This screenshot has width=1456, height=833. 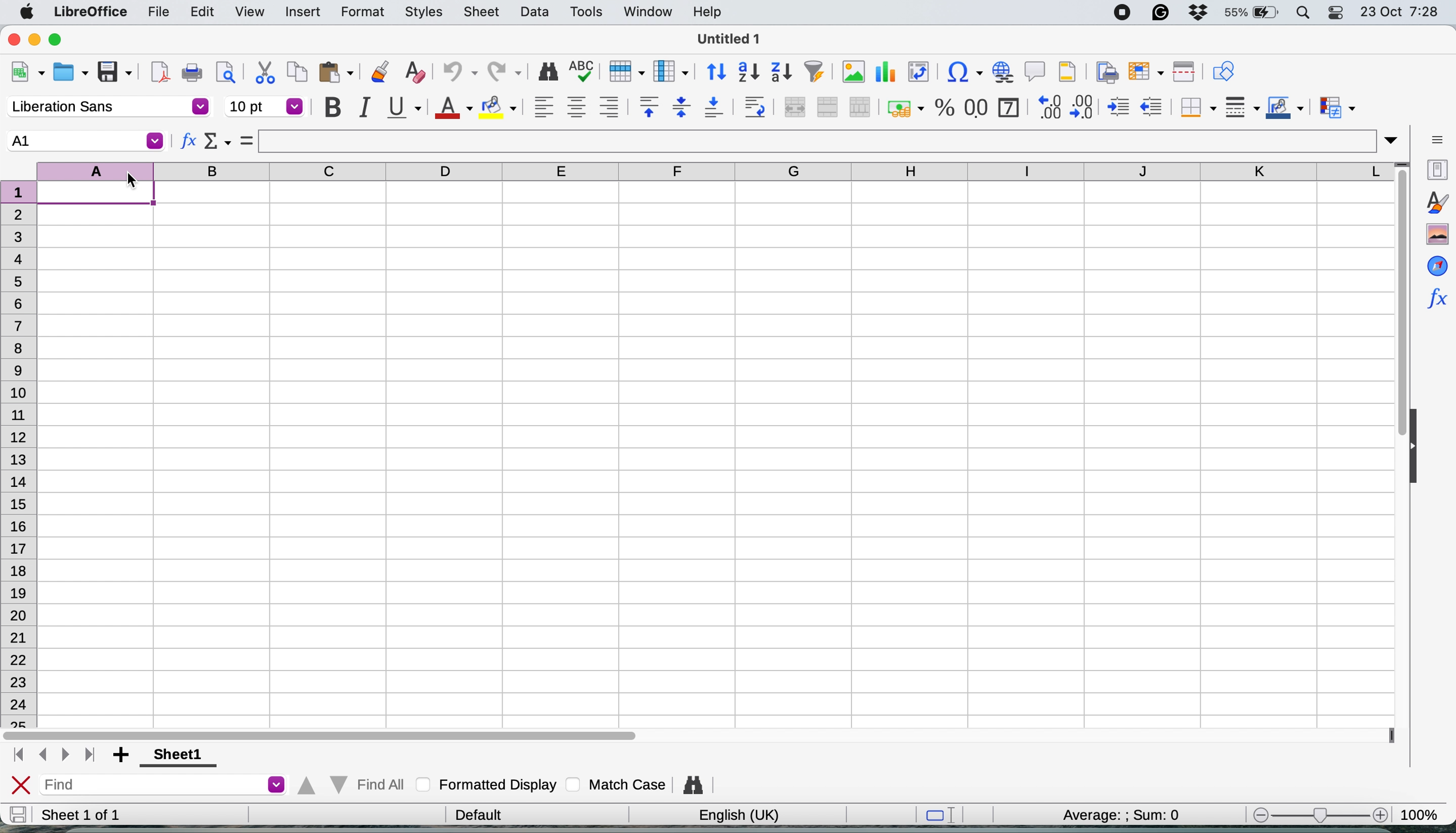 I want to click on sheet 1 of 1, so click(x=102, y=815).